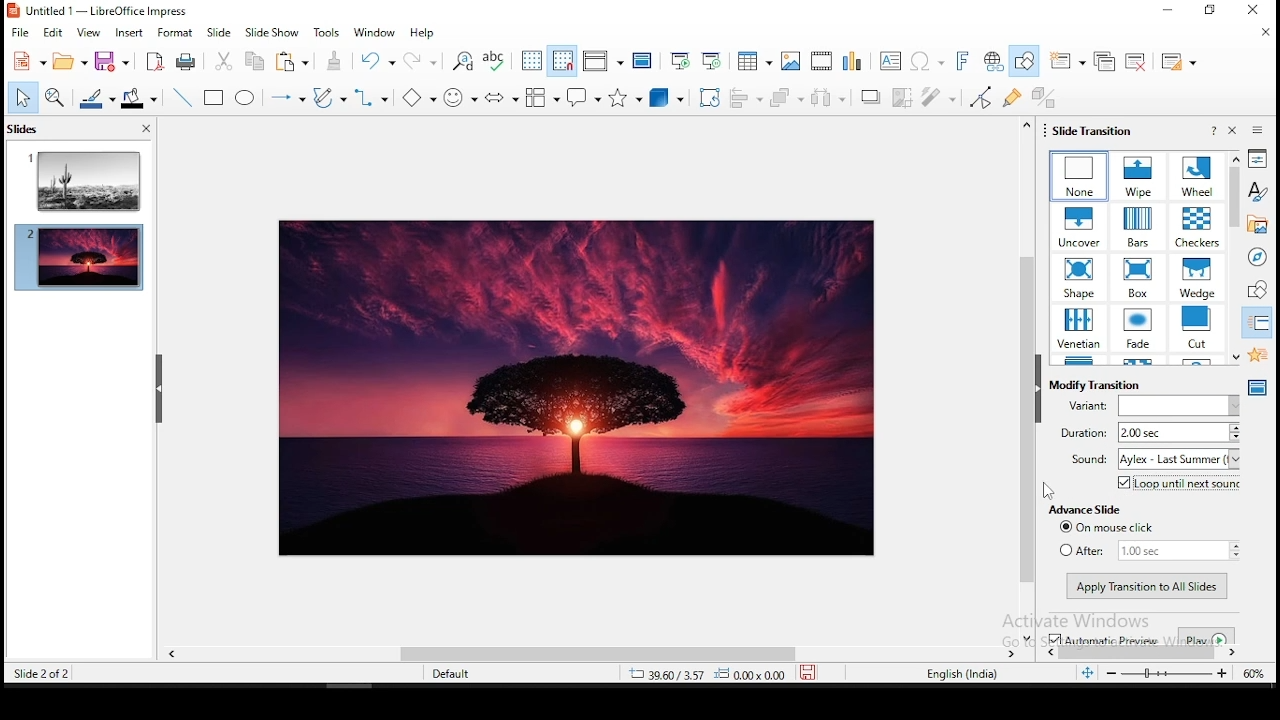 The width and height of the screenshot is (1280, 720). I want to click on transition effects, so click(1079, 327).